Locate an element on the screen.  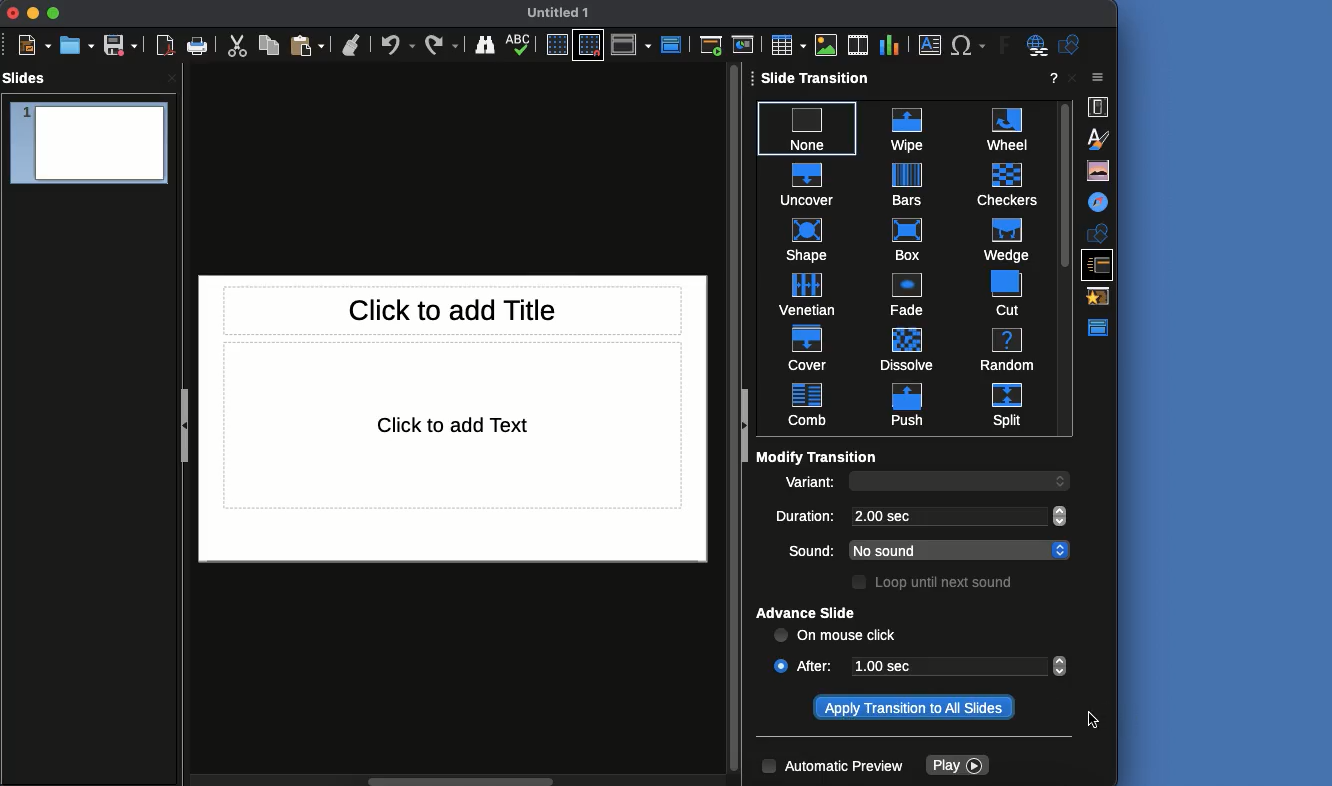
1.00 sec is located at coordinates (944, 666).